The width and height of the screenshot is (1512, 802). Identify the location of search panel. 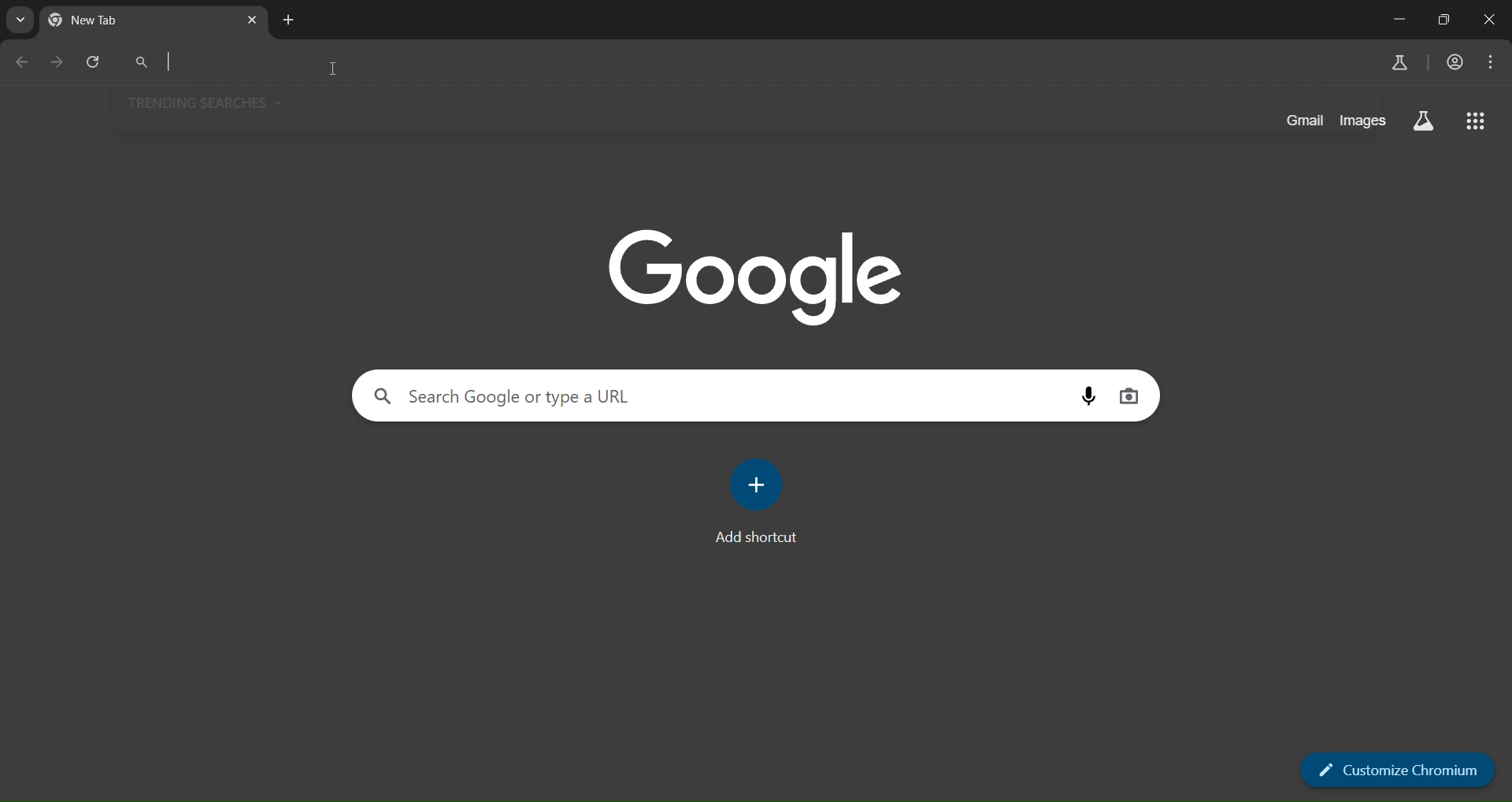
(729, 62).